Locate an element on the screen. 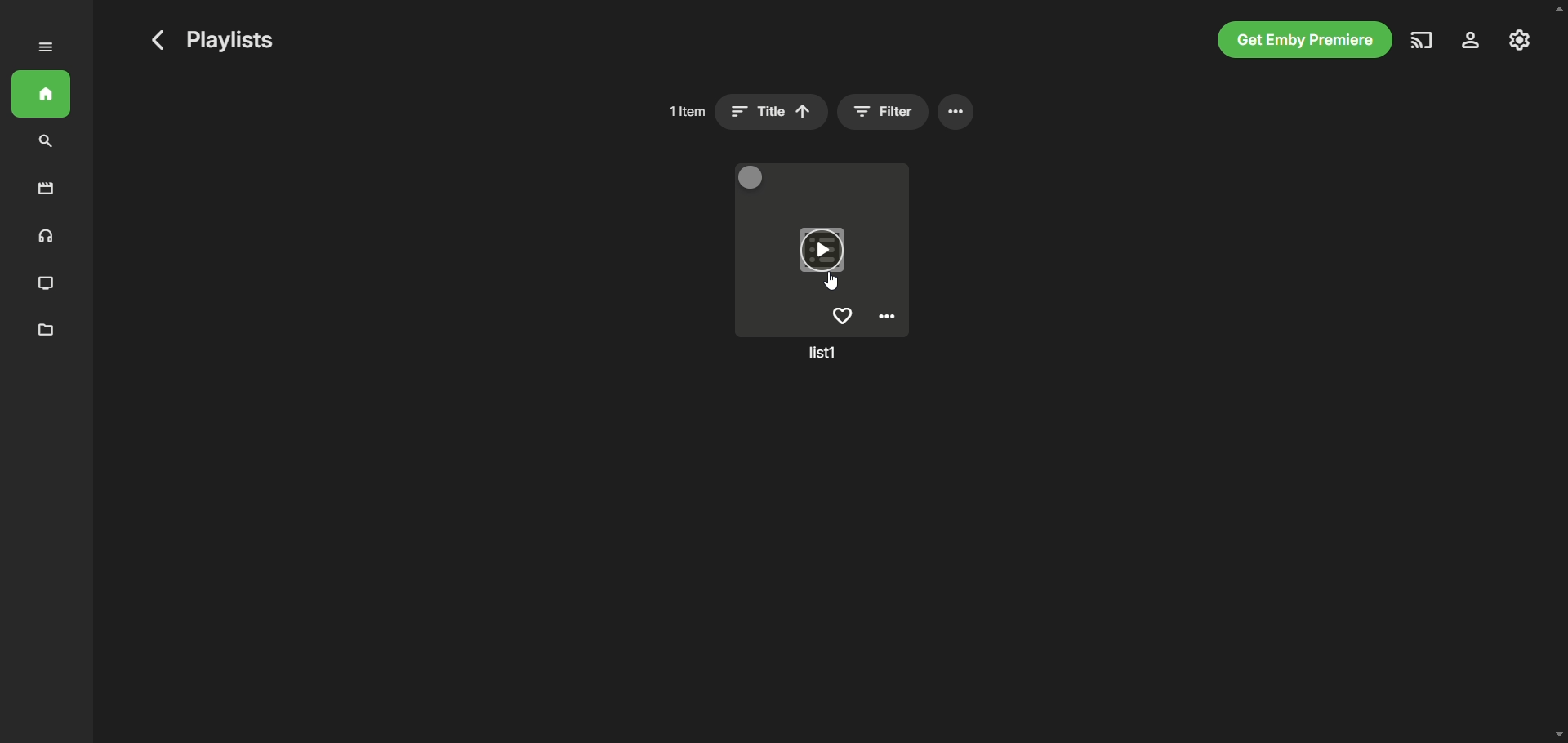 This screenshot has width=1568, height=743. Go to previous page is located at coordinates (158, 40).